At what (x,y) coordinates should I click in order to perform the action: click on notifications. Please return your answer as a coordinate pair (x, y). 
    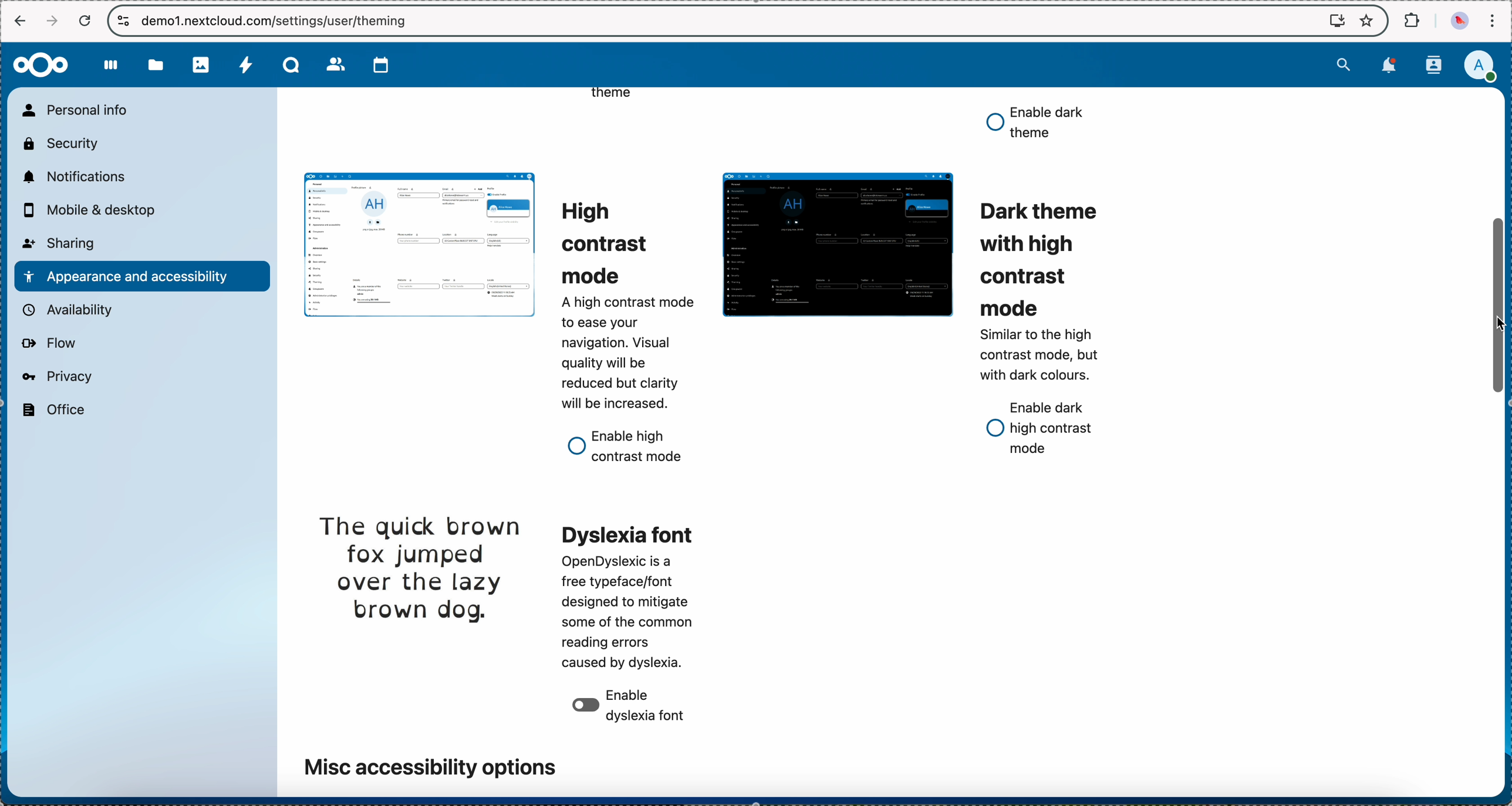
    Looking at the image, I should click on (76, 178).